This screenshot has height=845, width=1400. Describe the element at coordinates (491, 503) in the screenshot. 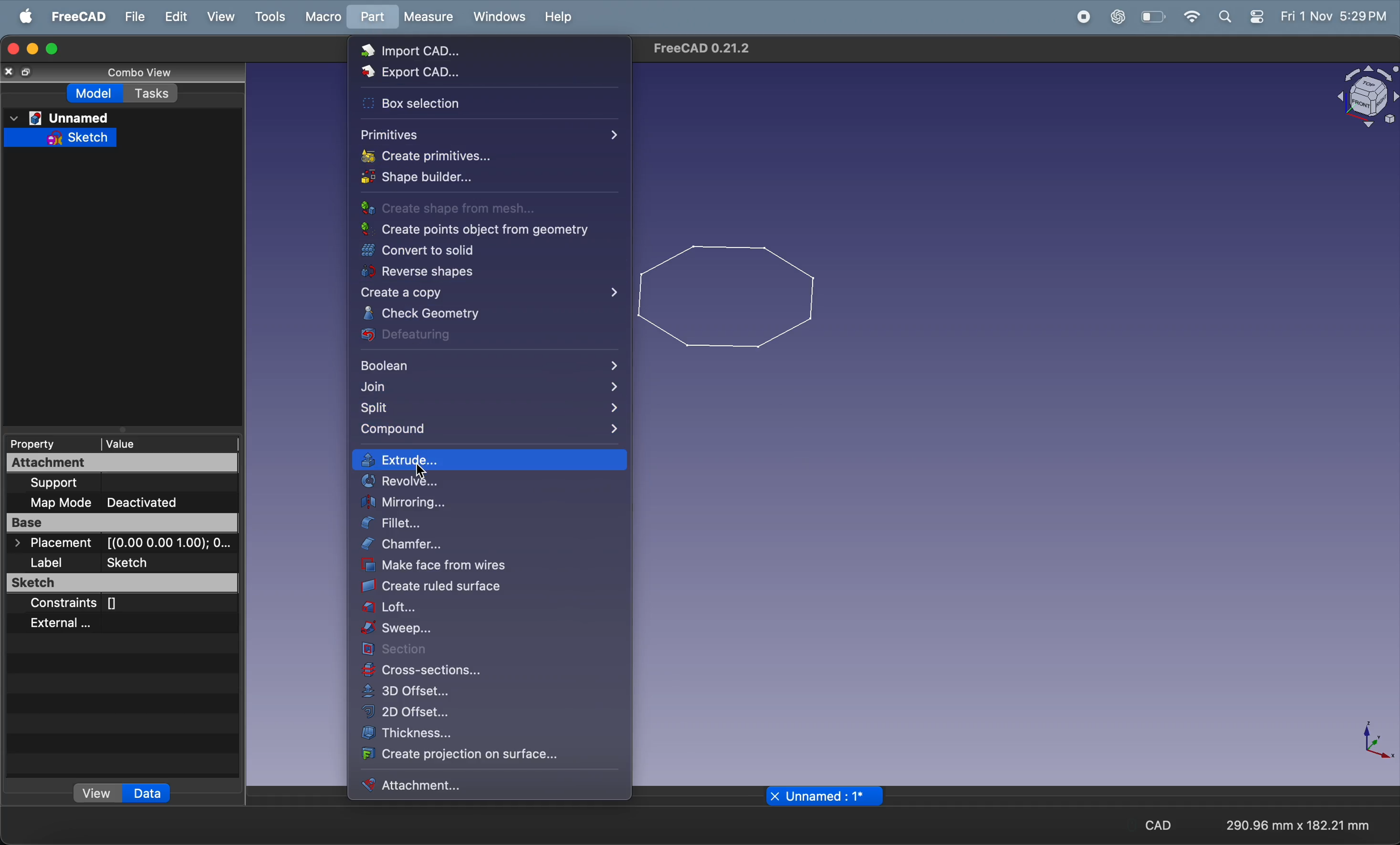

I see `mirroring` at that location.